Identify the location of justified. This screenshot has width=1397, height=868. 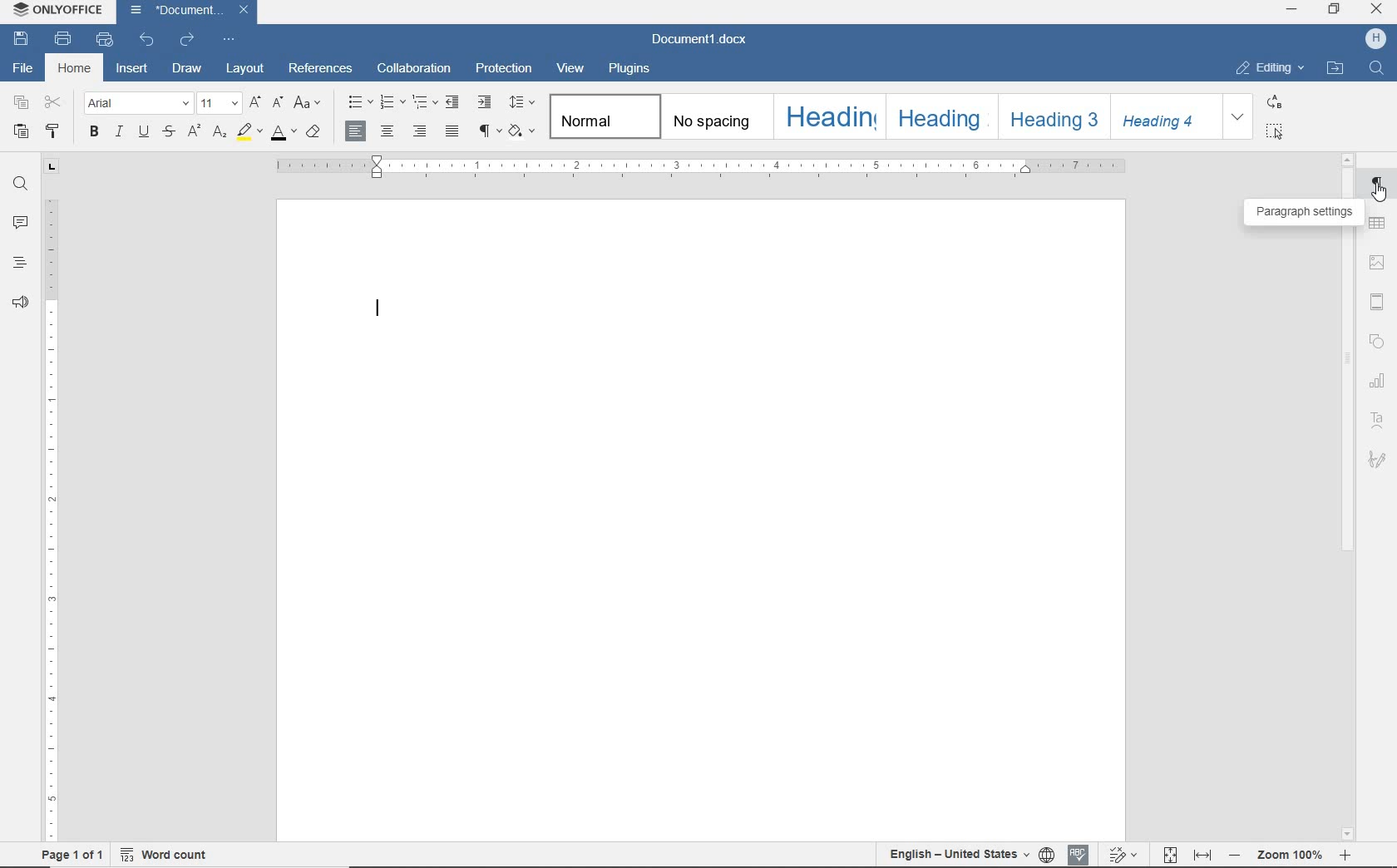
(452, 131).